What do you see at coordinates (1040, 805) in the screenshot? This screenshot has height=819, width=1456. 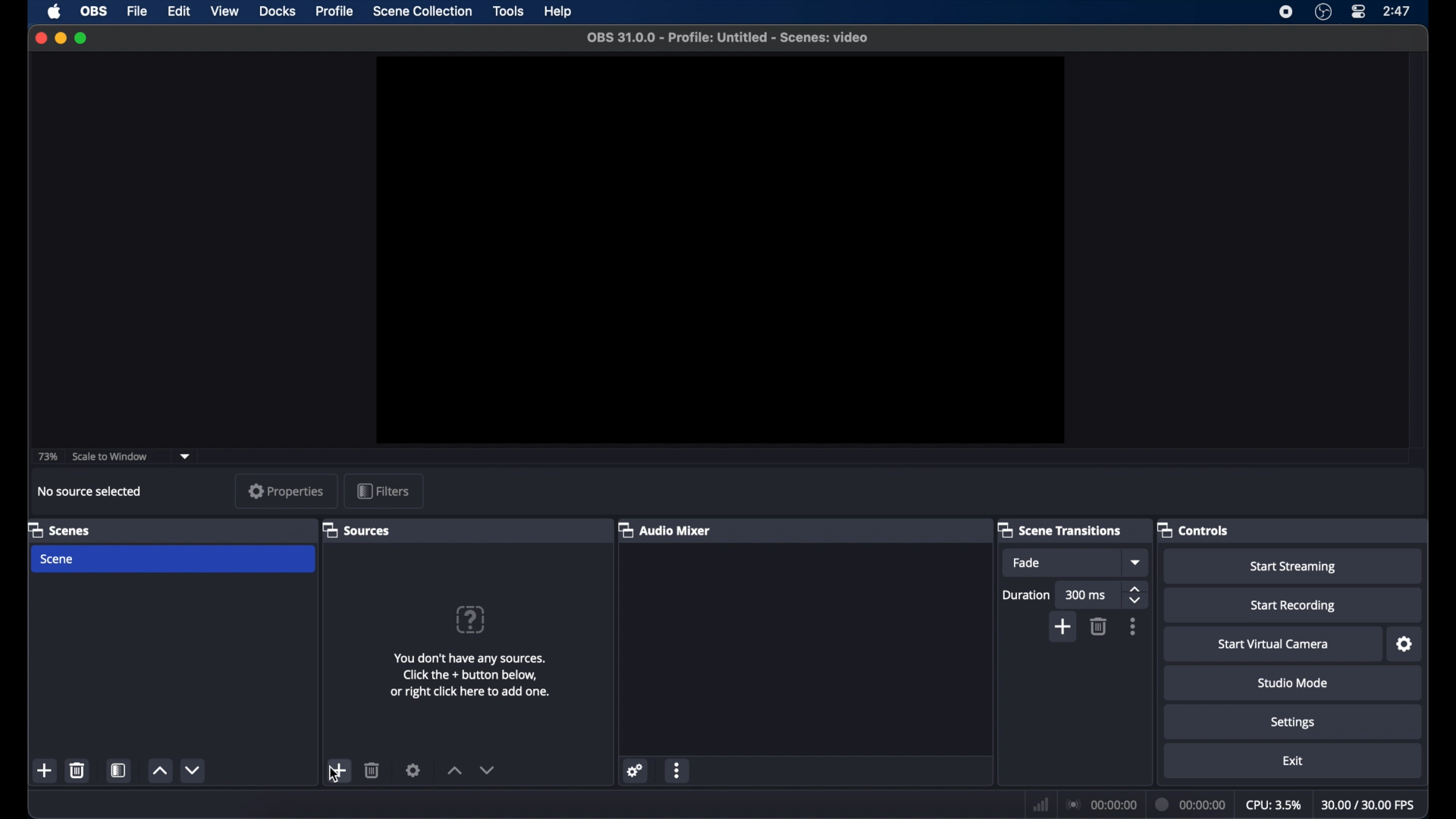 I see `network` at bounding box center [1040, 805].